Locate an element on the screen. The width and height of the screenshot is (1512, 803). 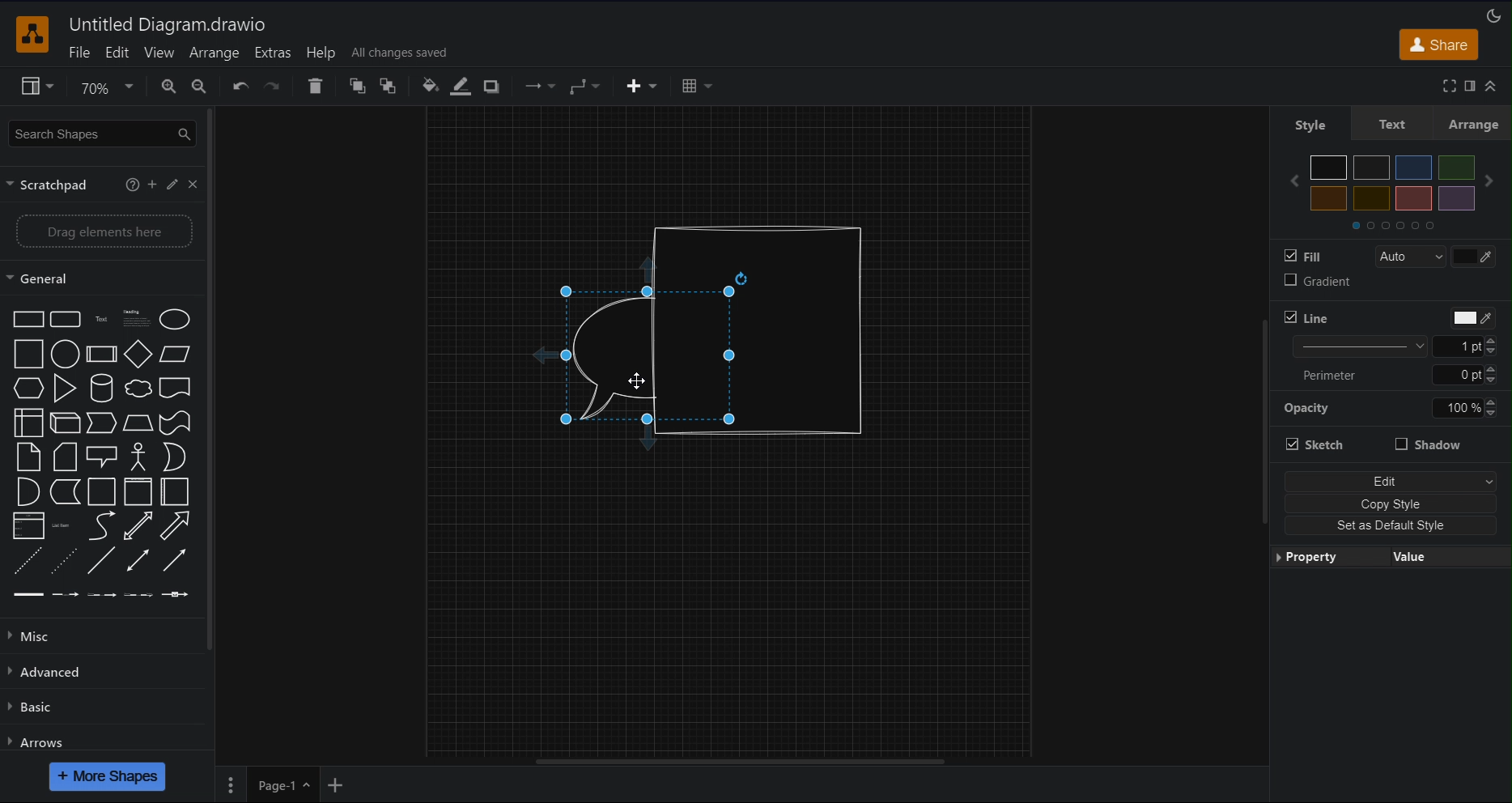
Value is located at coordinates (1450, 557).